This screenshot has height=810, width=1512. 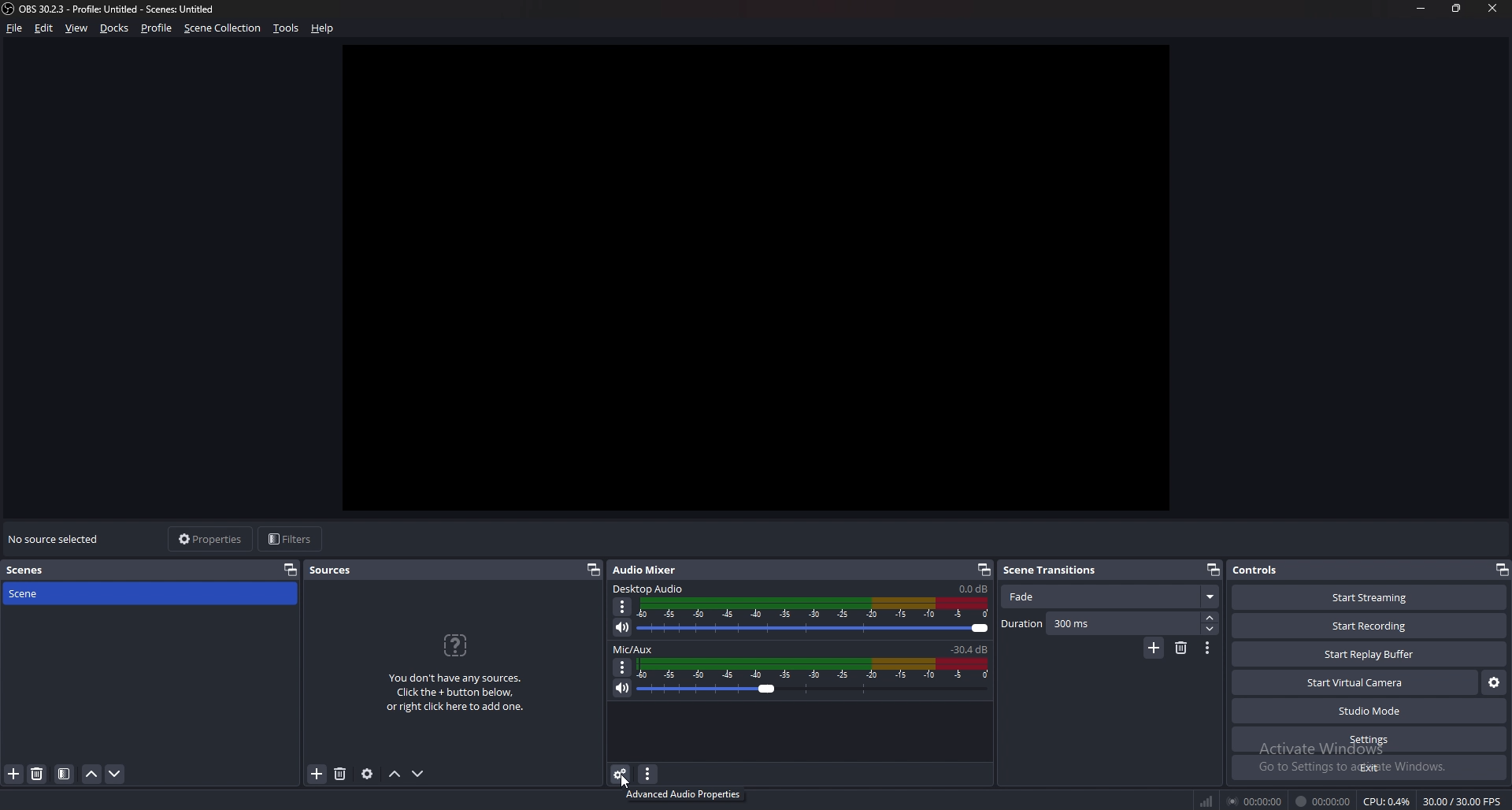 What do you see at coordinates (1211, 619) in the screenshot?
I see `duration increase` at bounding box center [1211, 619].